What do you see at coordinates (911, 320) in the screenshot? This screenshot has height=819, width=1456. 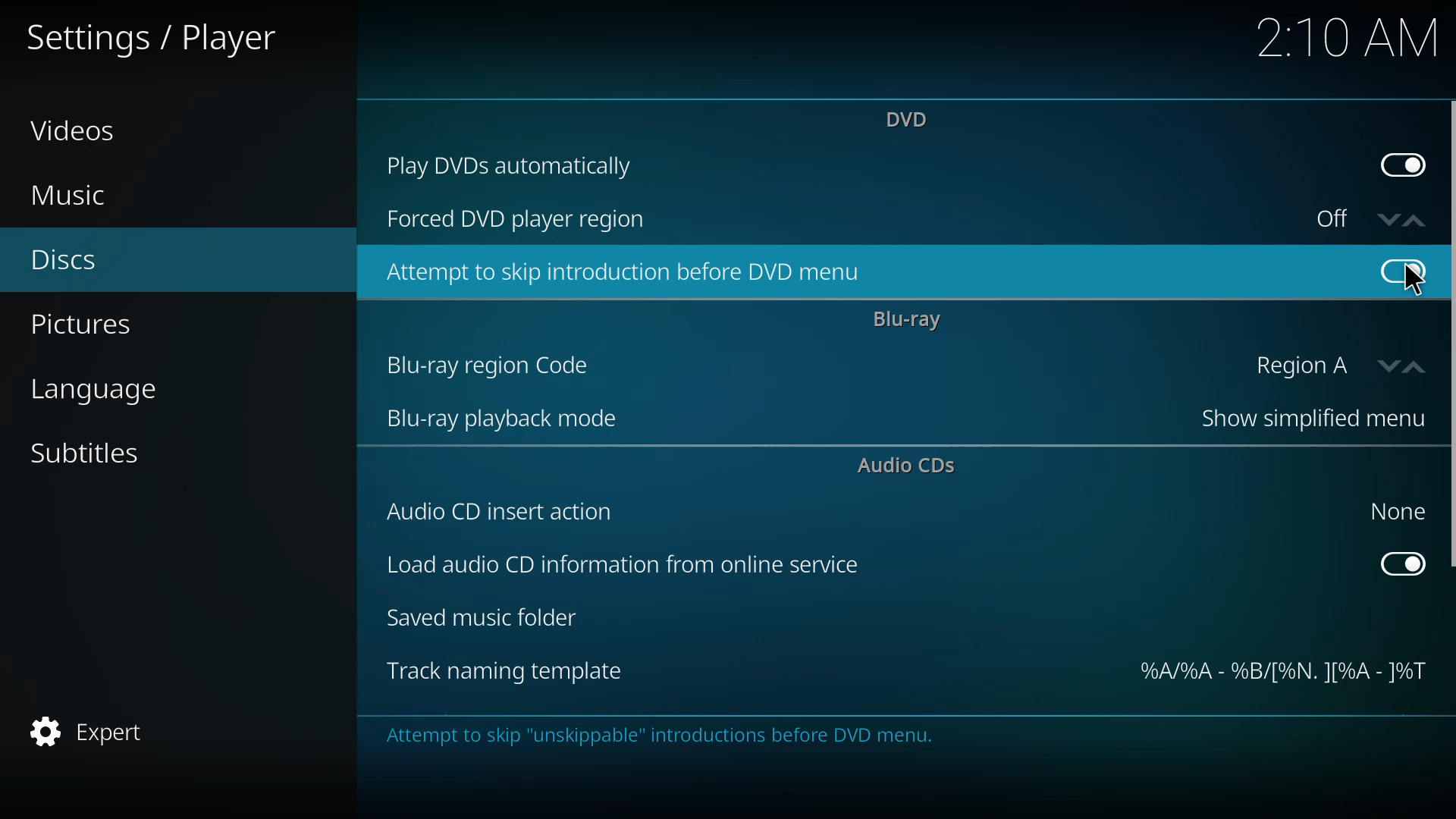 I see `bluray` at bounding box center [911, 320].